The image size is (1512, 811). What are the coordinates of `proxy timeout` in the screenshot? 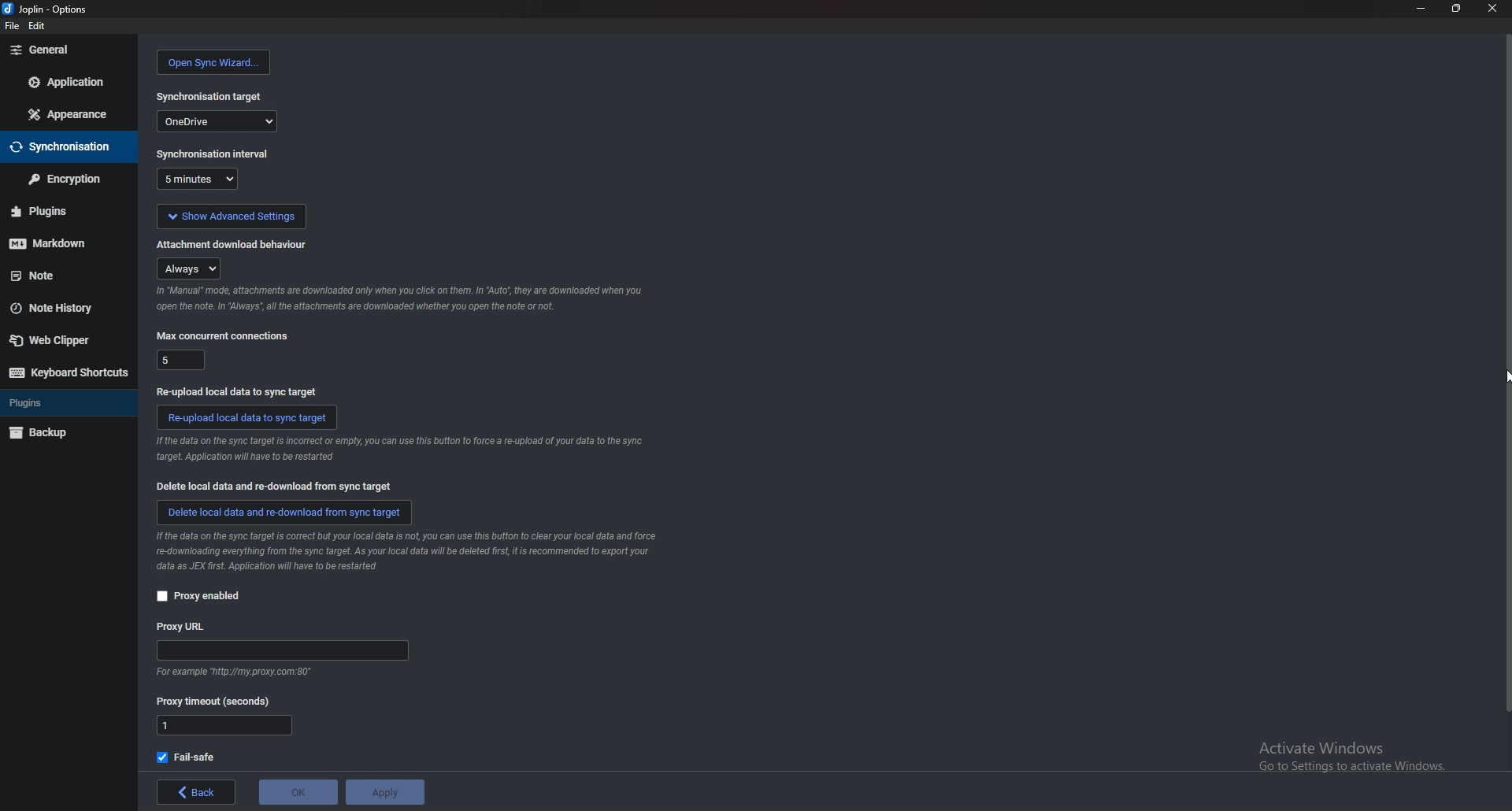 It's located at (224, 725).